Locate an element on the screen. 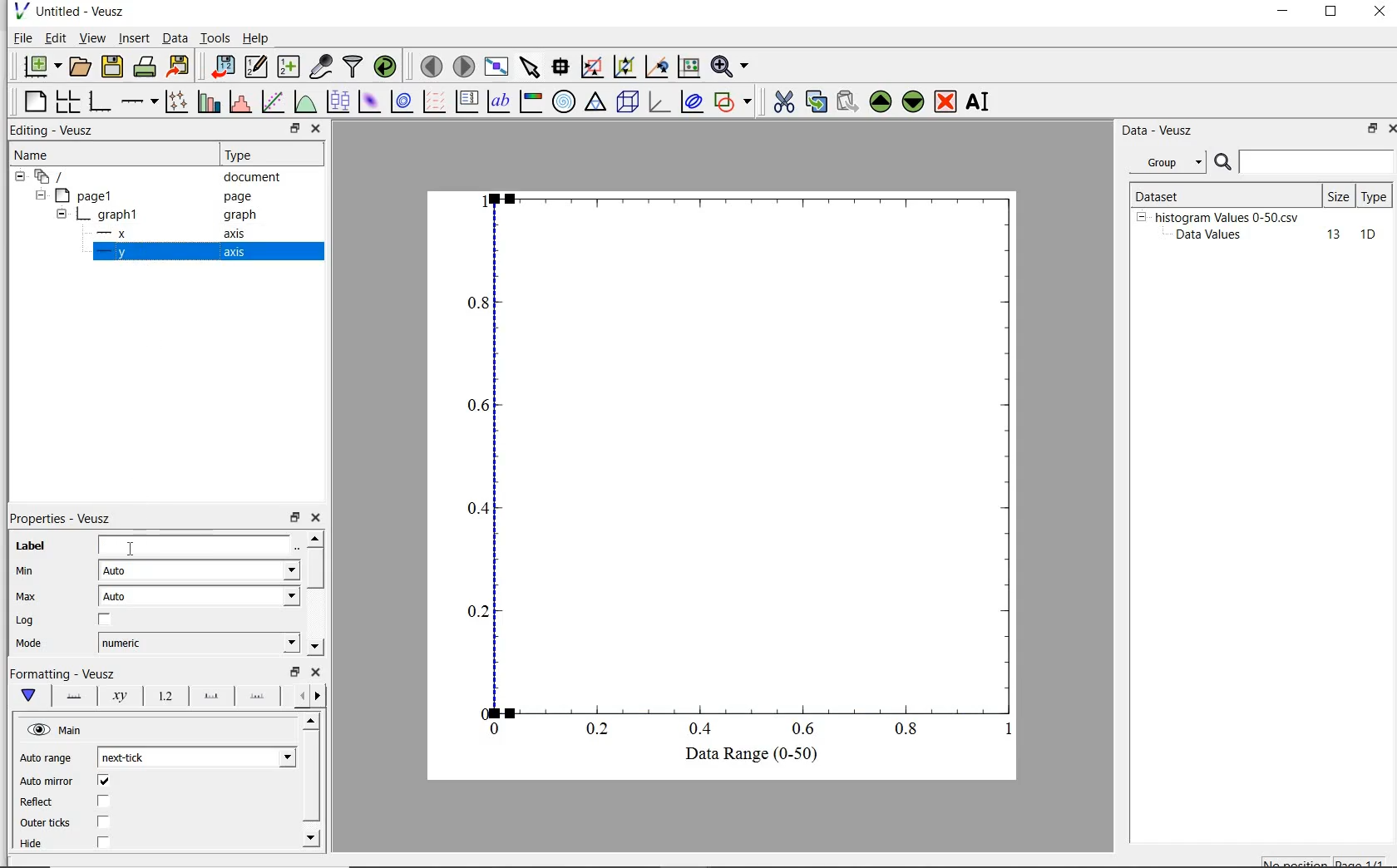  Untitled - Veusz is located at coordinates (84, 11).